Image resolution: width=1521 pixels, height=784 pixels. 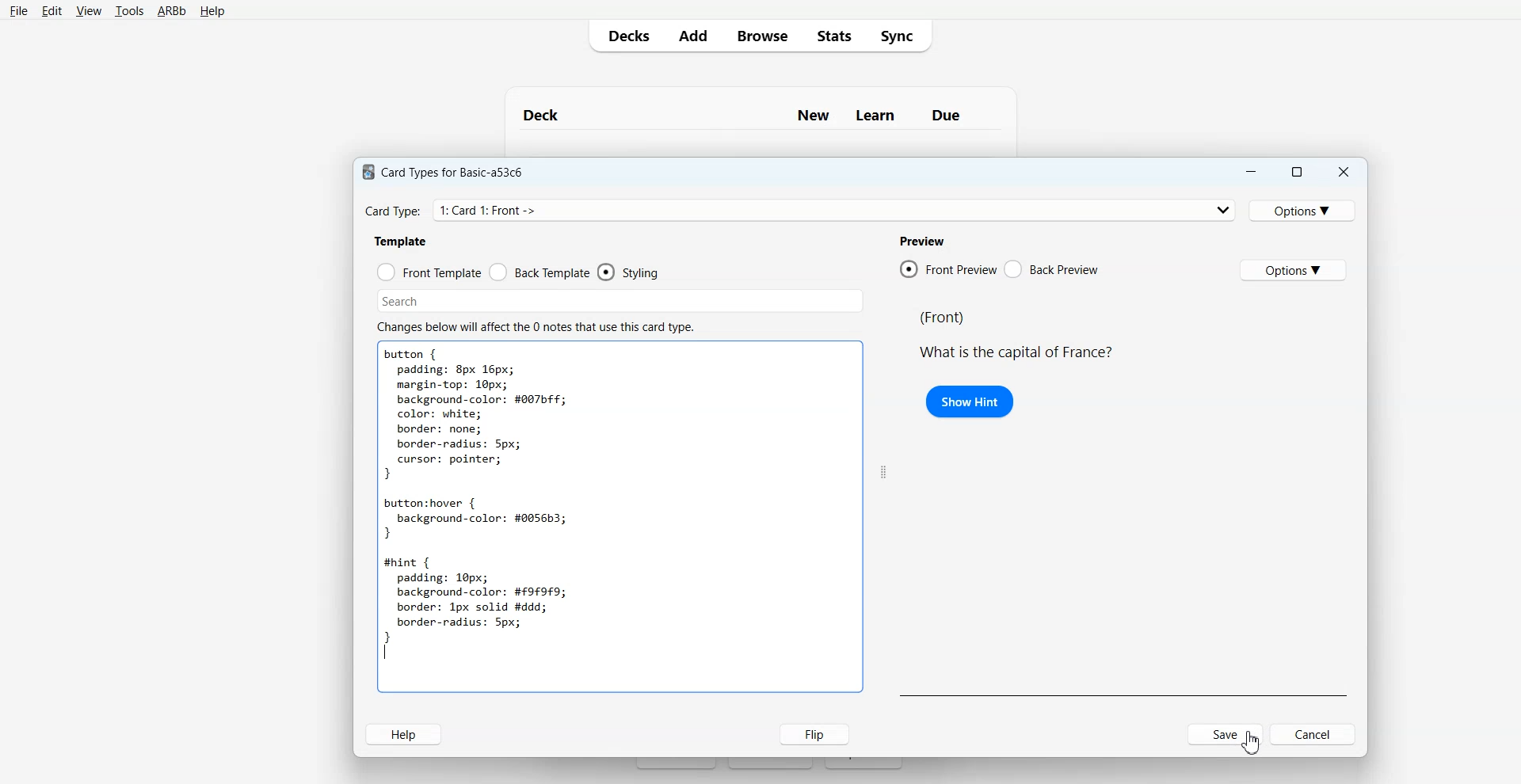 What do you see at coordinates (542, 327) in the screenshot?
I see `Changes below will affect the 0 notes that use this card type` at bounding box center [542, 327].